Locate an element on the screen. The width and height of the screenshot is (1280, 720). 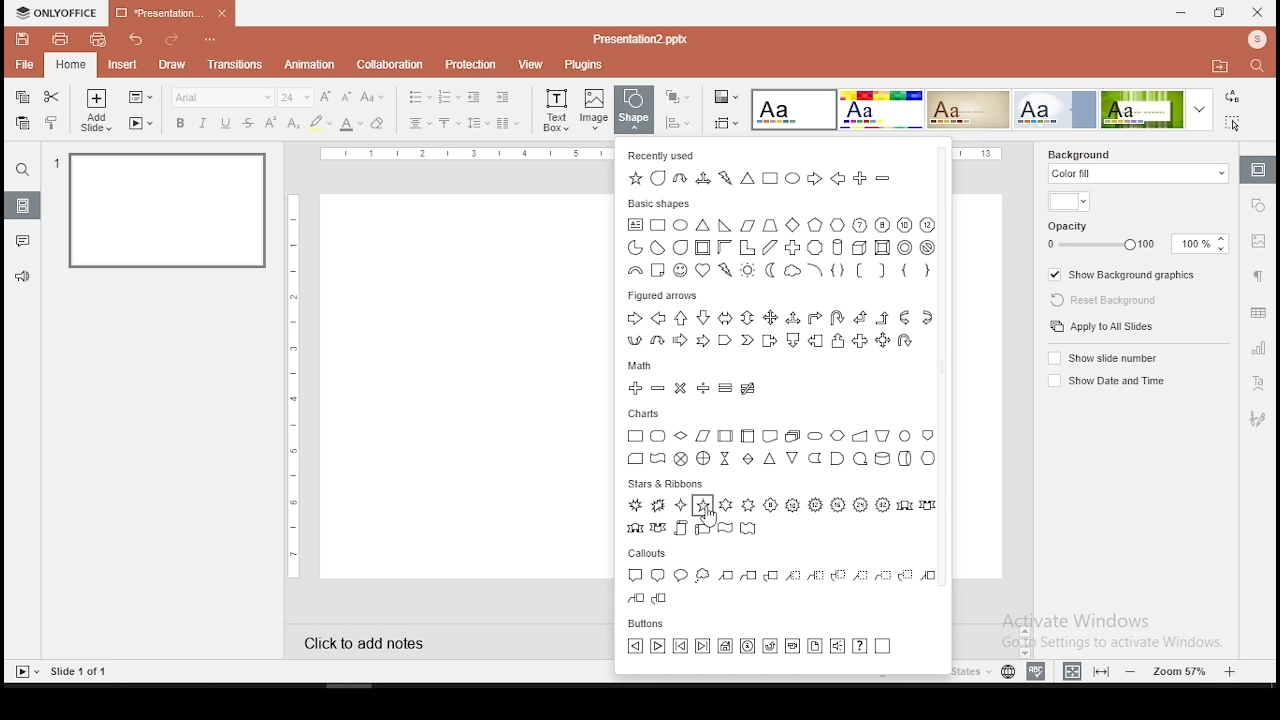
click to add notes is located at coordinates (382, 641).